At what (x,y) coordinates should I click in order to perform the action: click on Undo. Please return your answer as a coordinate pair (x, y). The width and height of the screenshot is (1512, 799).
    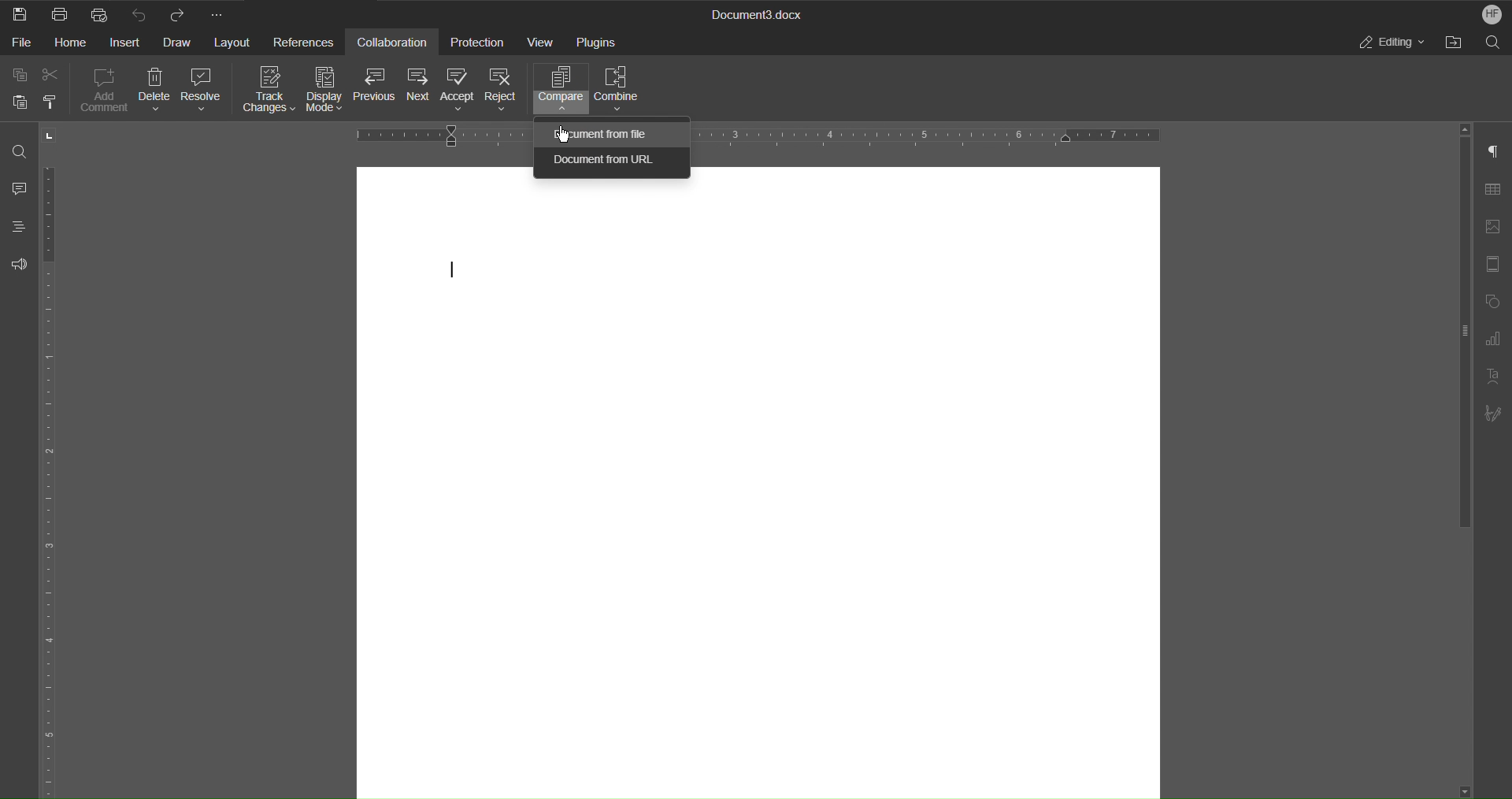
    Looking at the image, I should click on (142, 14).